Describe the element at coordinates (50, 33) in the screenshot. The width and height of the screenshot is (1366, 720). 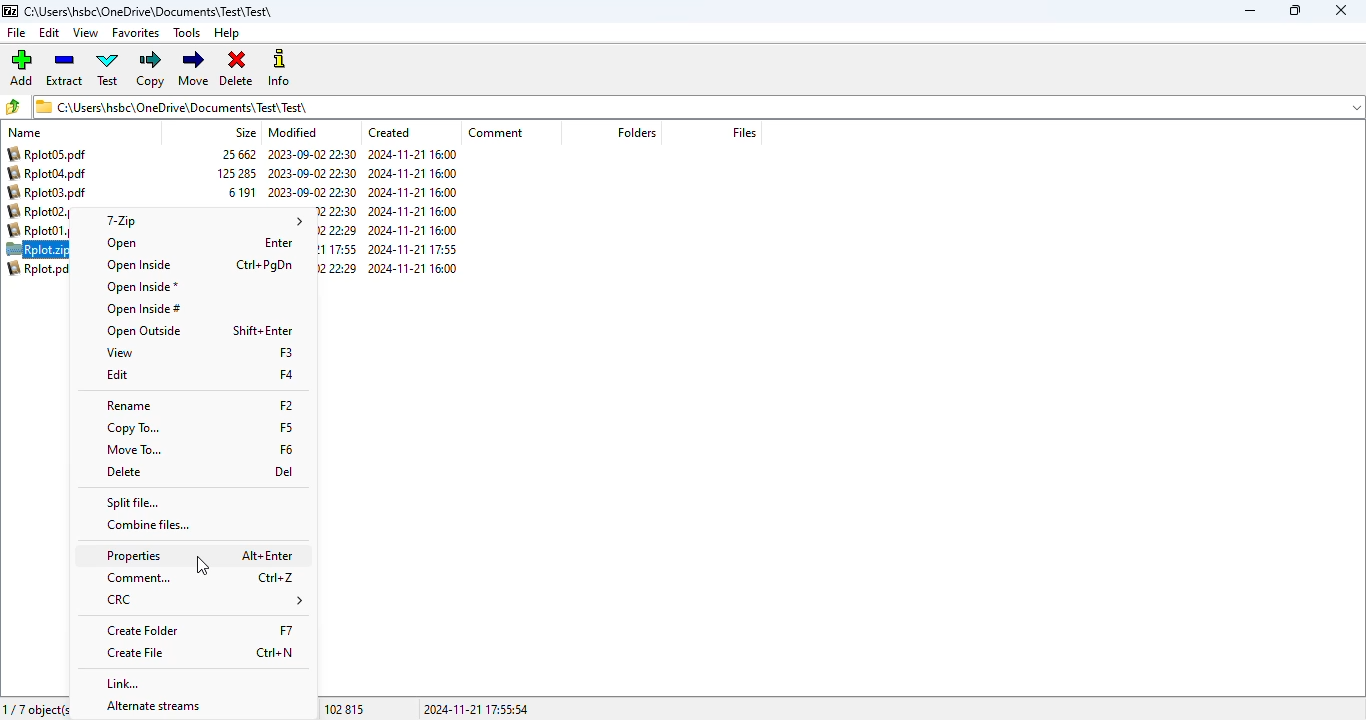
I see `edit` at that location.